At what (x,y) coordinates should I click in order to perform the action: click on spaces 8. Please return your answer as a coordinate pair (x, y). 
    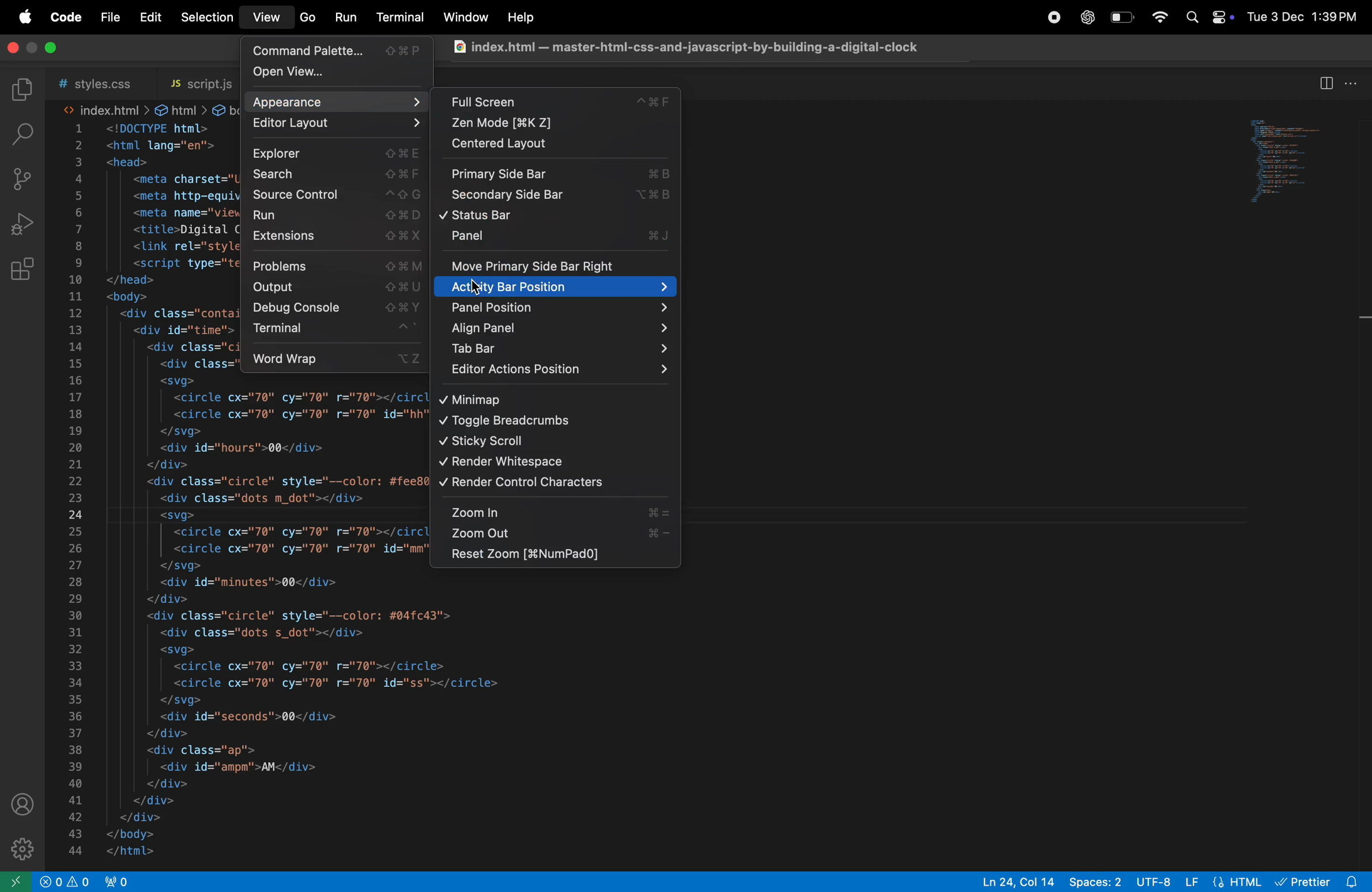
    Looking at the image, I should click on (1096, 882).